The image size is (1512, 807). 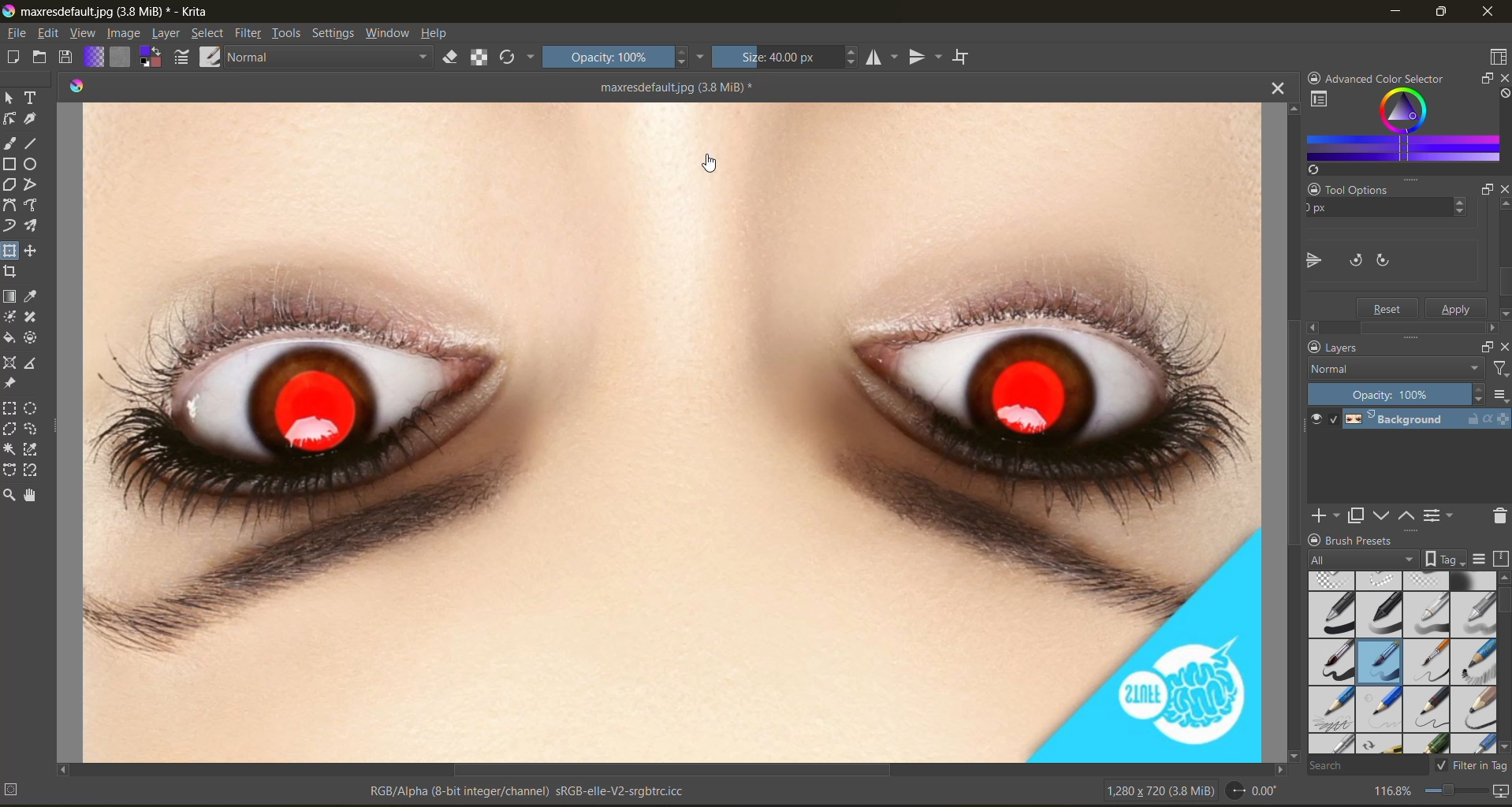 What do you see at coordinates (30, 337) in the screenshot?
I see `tool` at bounding box center [30, 337].